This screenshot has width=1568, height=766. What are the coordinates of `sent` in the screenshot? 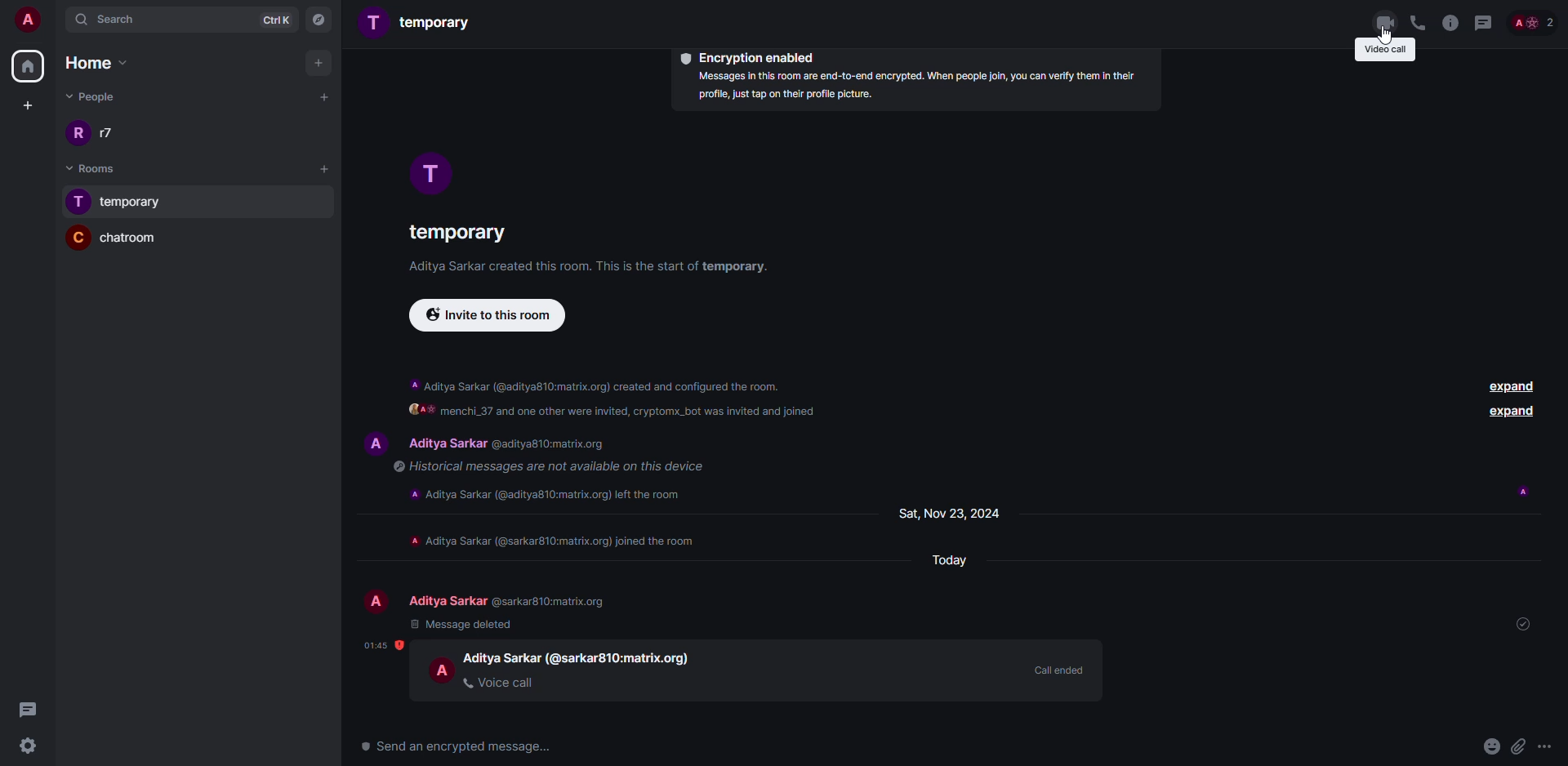 It's located at (1528, 626).